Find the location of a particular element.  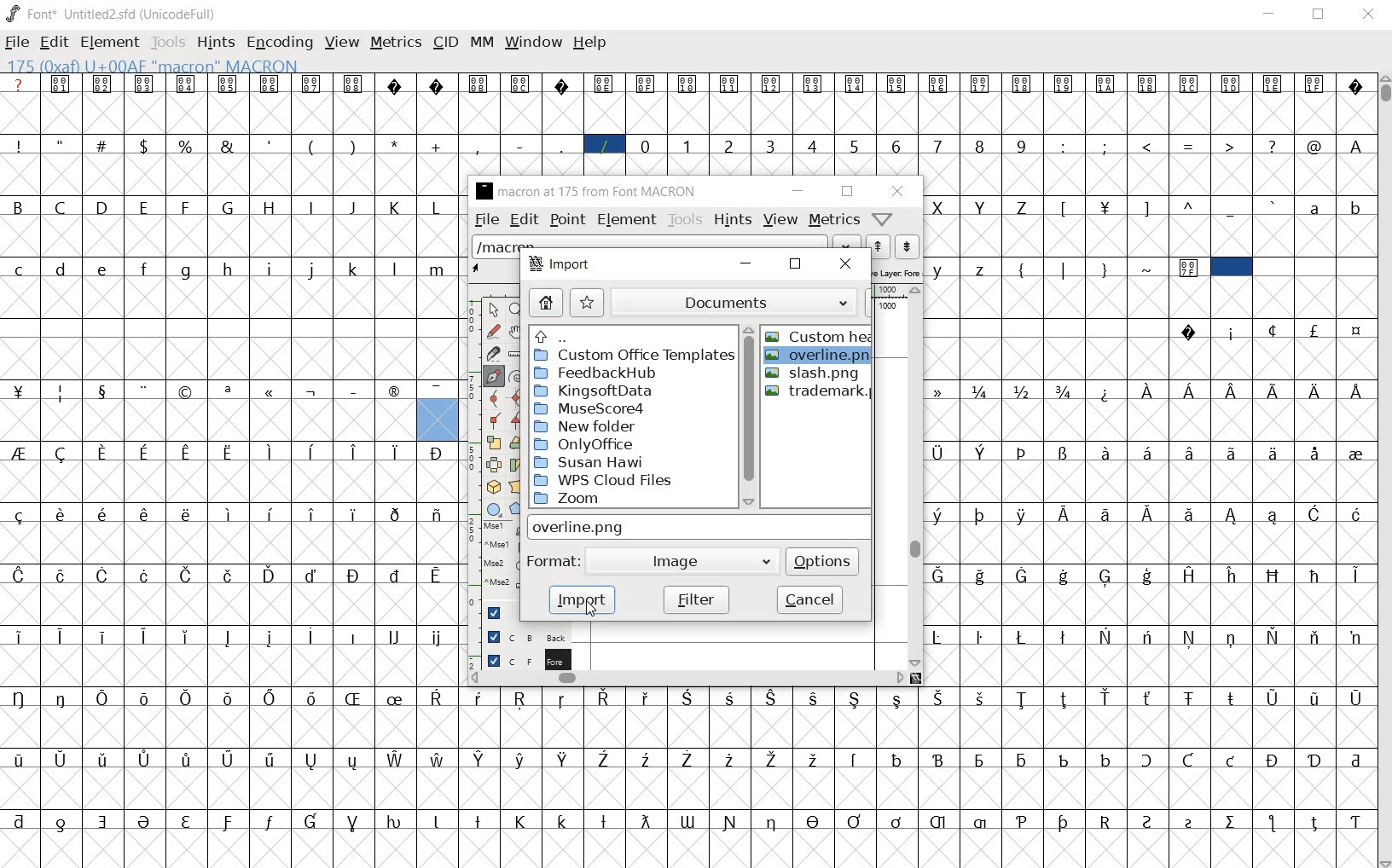

Symbol is located at coordinates (566, 760).